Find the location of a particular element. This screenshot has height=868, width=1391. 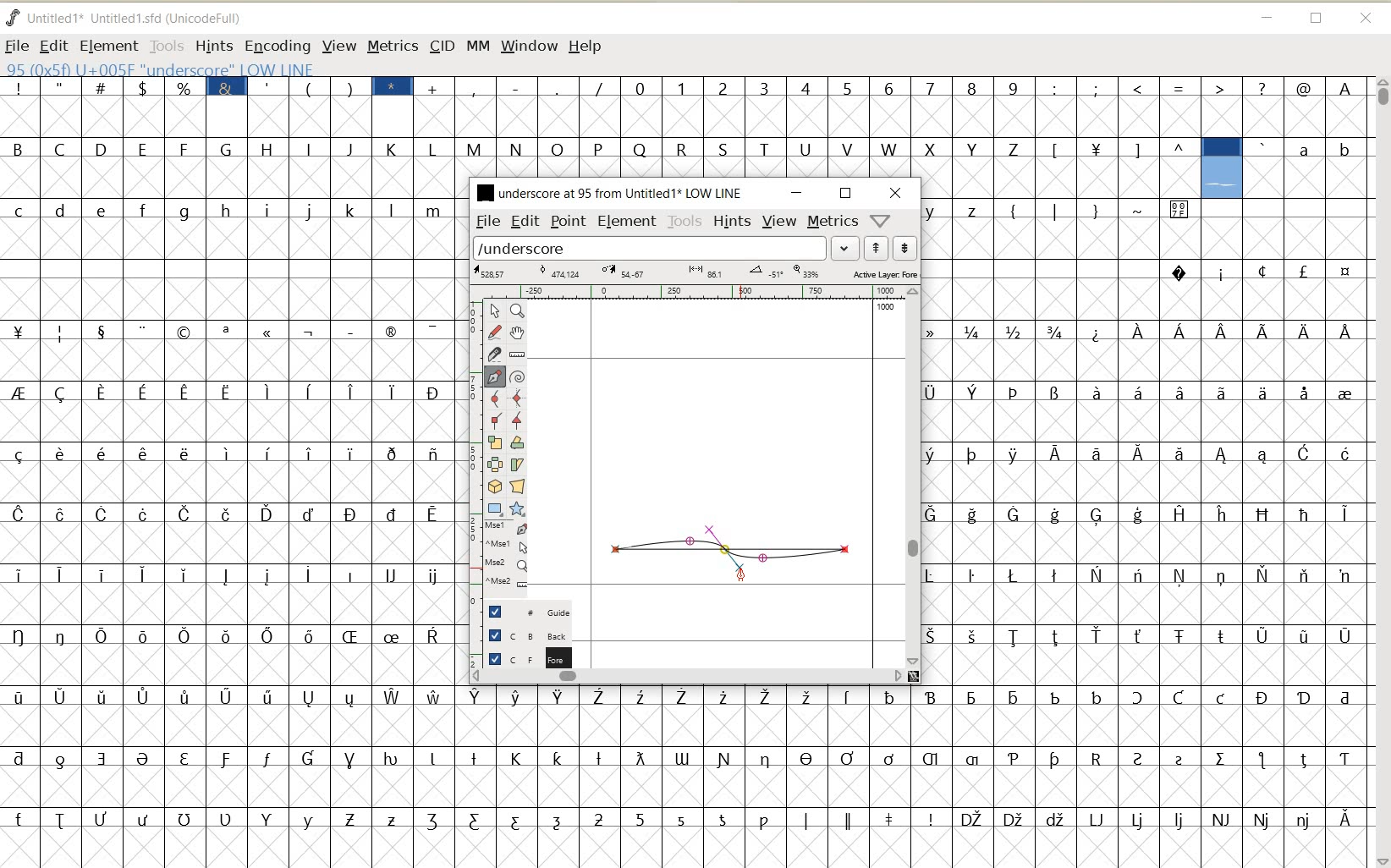

MM is located at coordinates (476, 45).